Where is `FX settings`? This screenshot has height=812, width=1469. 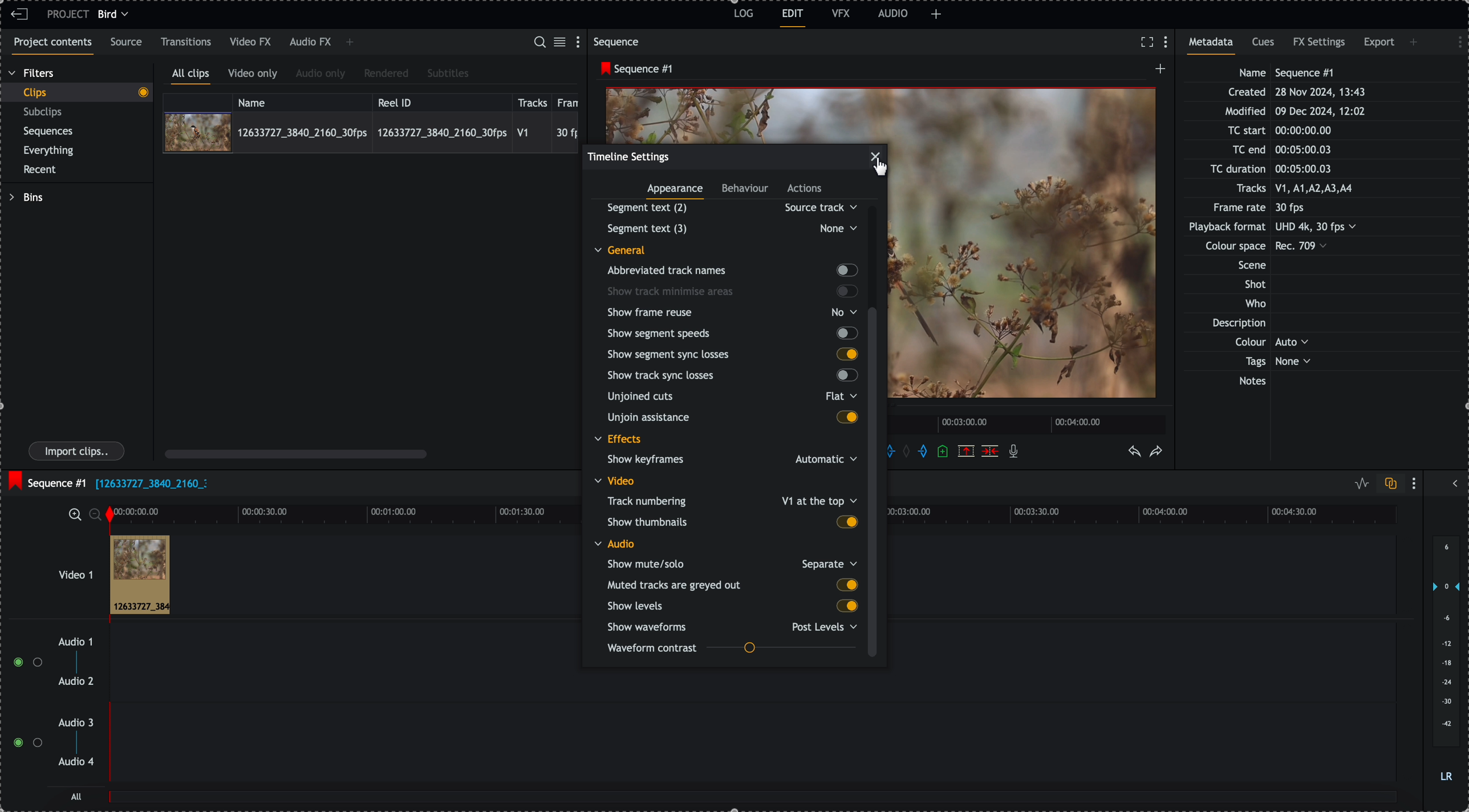 FX settings is located at coordinates (1320, 44).